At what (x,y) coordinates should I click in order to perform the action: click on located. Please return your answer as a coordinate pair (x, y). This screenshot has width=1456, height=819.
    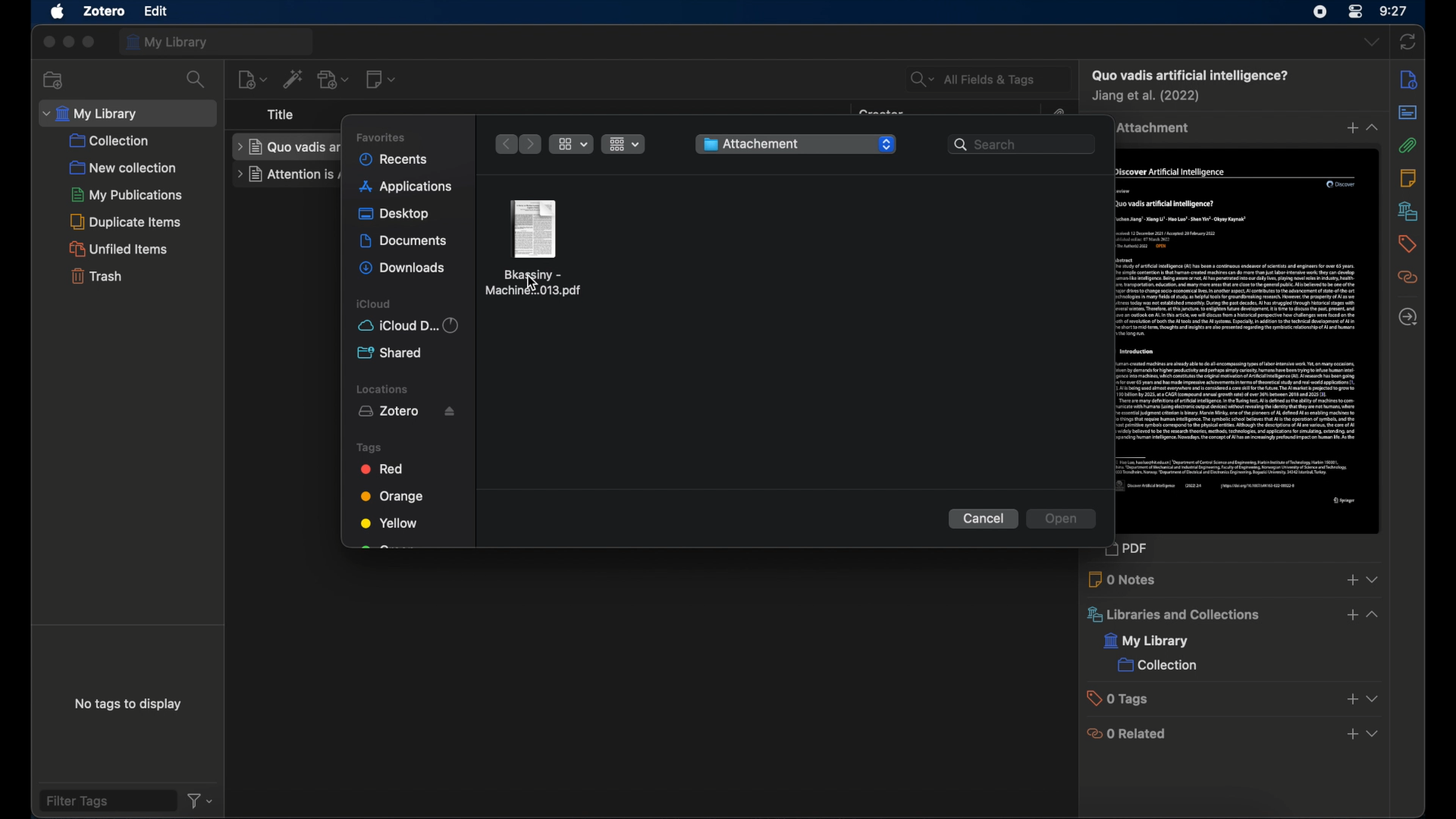
    Looking at the image, I should click on (1407, 317).